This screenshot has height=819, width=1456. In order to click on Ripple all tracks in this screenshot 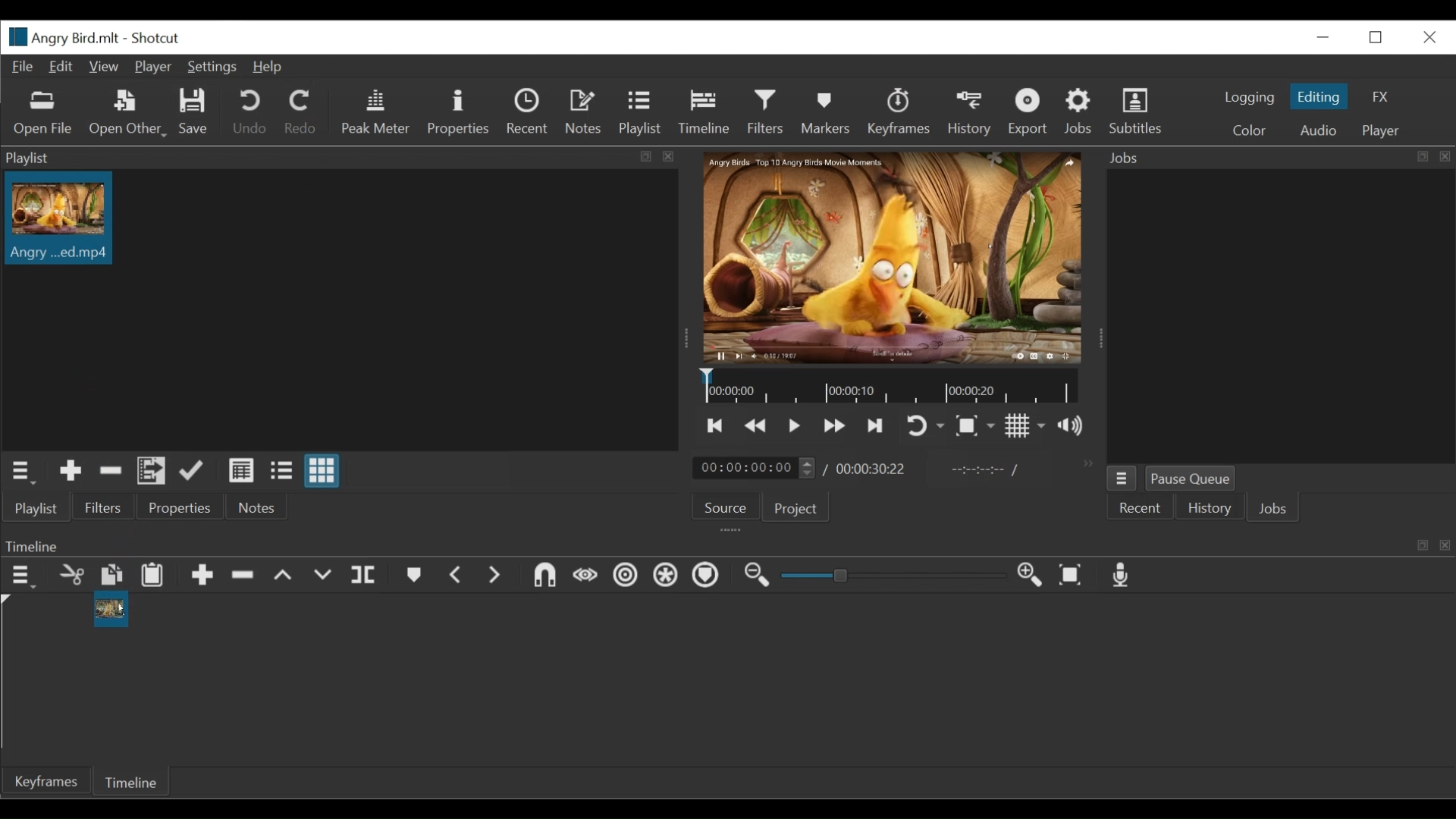, I will do `click(667, 577)`.